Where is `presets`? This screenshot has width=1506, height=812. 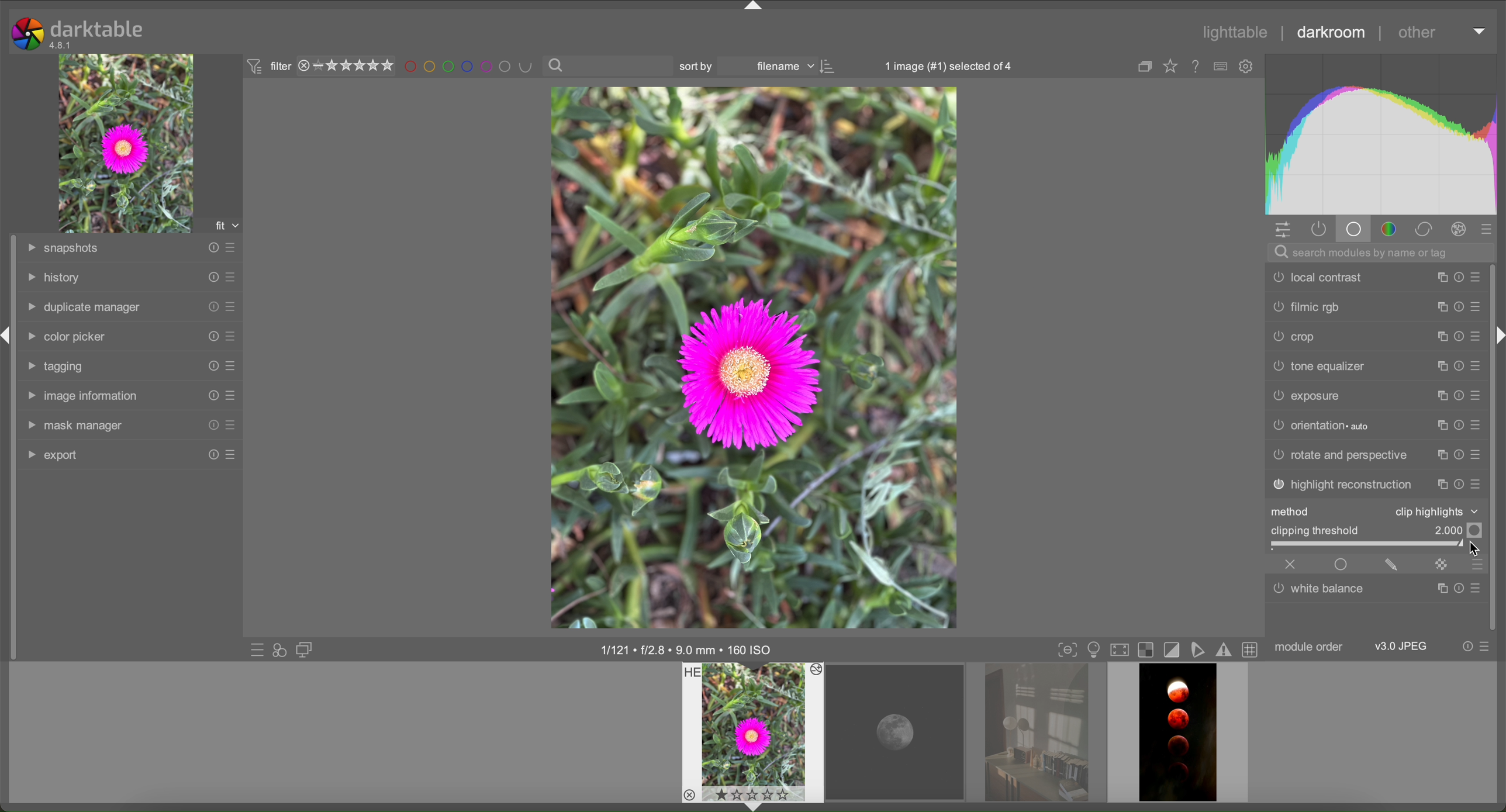
presets is located at coordinates (1477, 335).